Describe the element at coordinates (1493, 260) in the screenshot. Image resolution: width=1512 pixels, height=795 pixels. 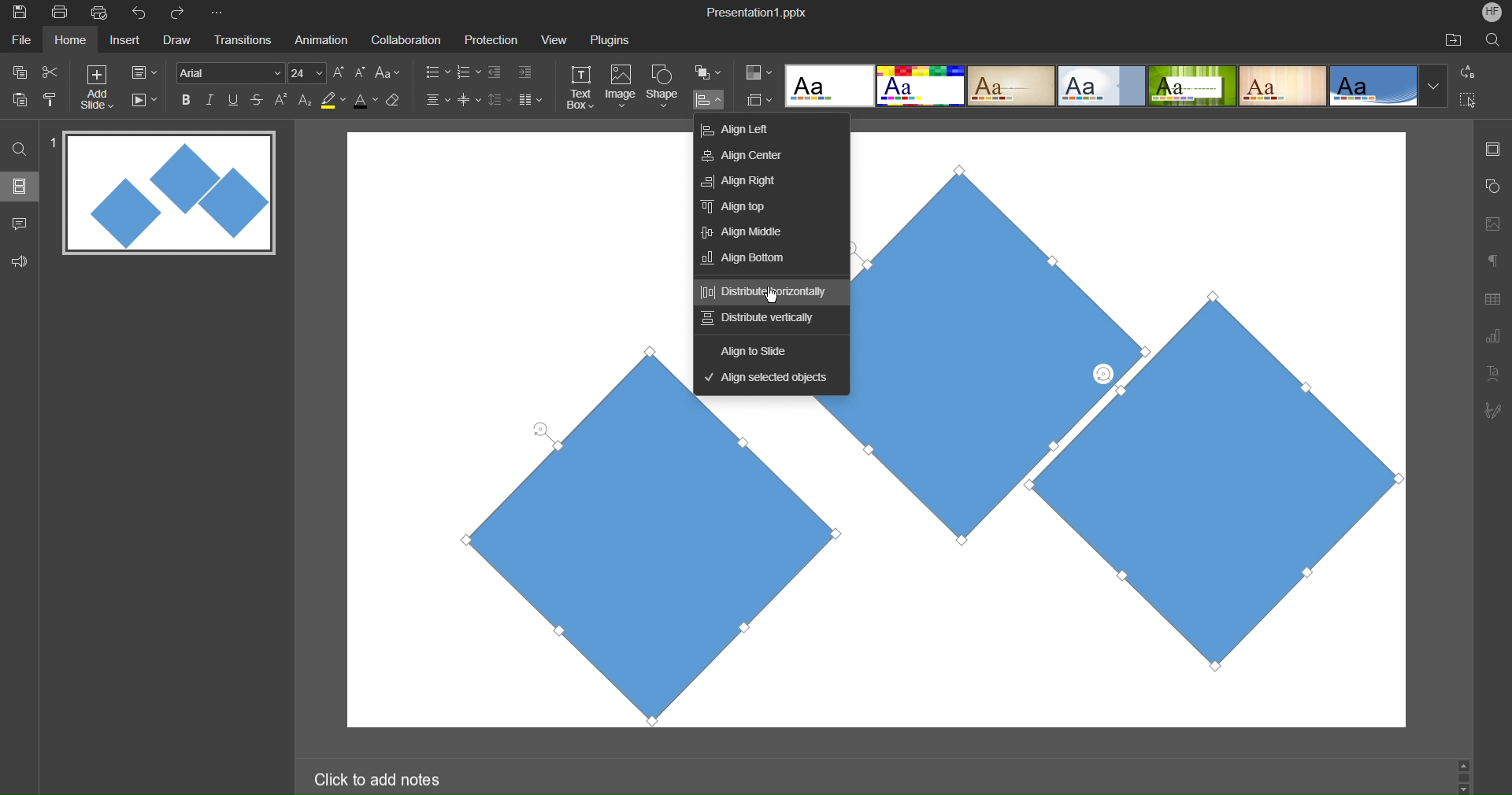
I see `Paragraph Settings` at that location.